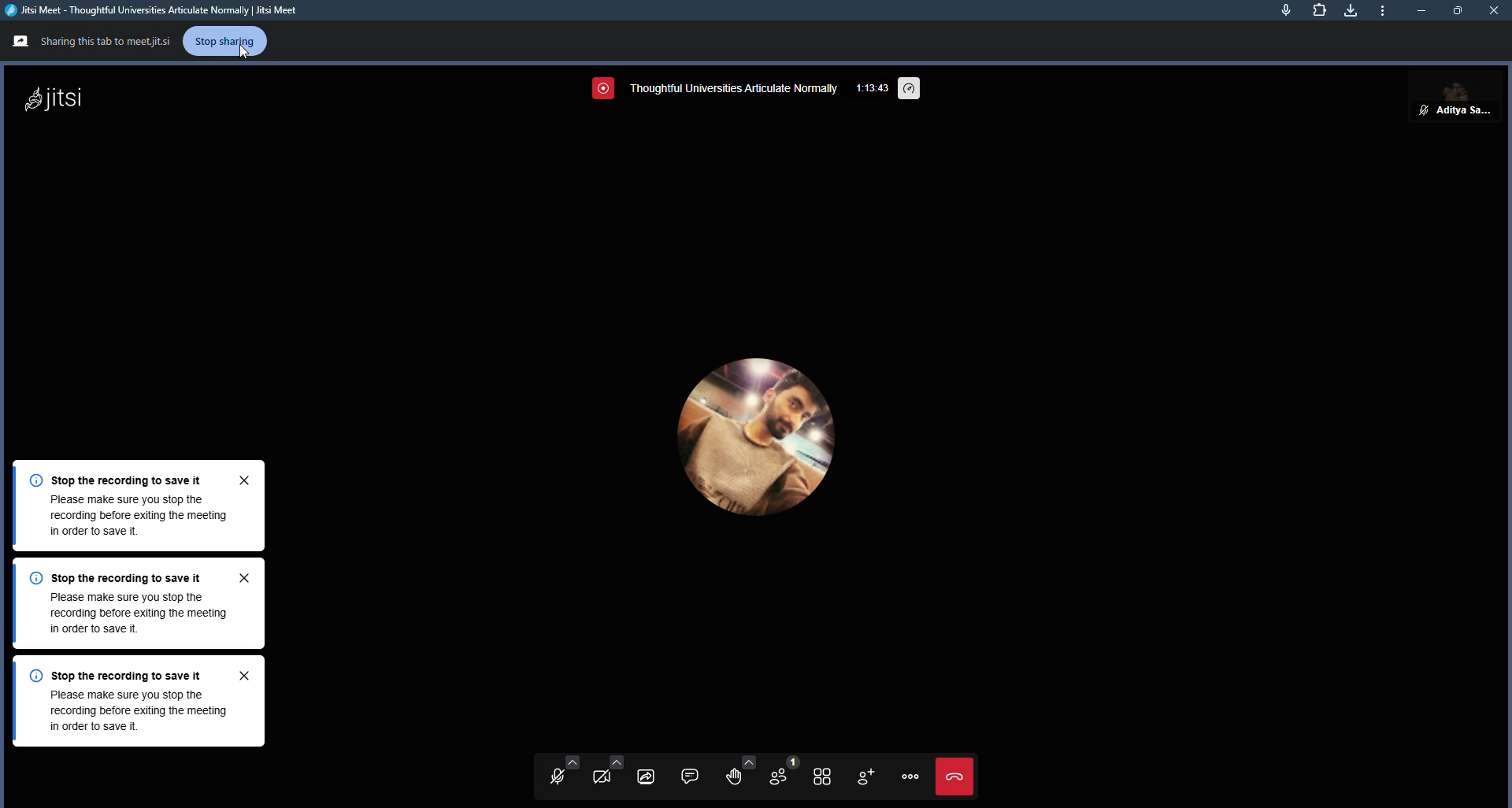 This screenshot has height=808, width=1512. I want to click on close, so click(247, 576).